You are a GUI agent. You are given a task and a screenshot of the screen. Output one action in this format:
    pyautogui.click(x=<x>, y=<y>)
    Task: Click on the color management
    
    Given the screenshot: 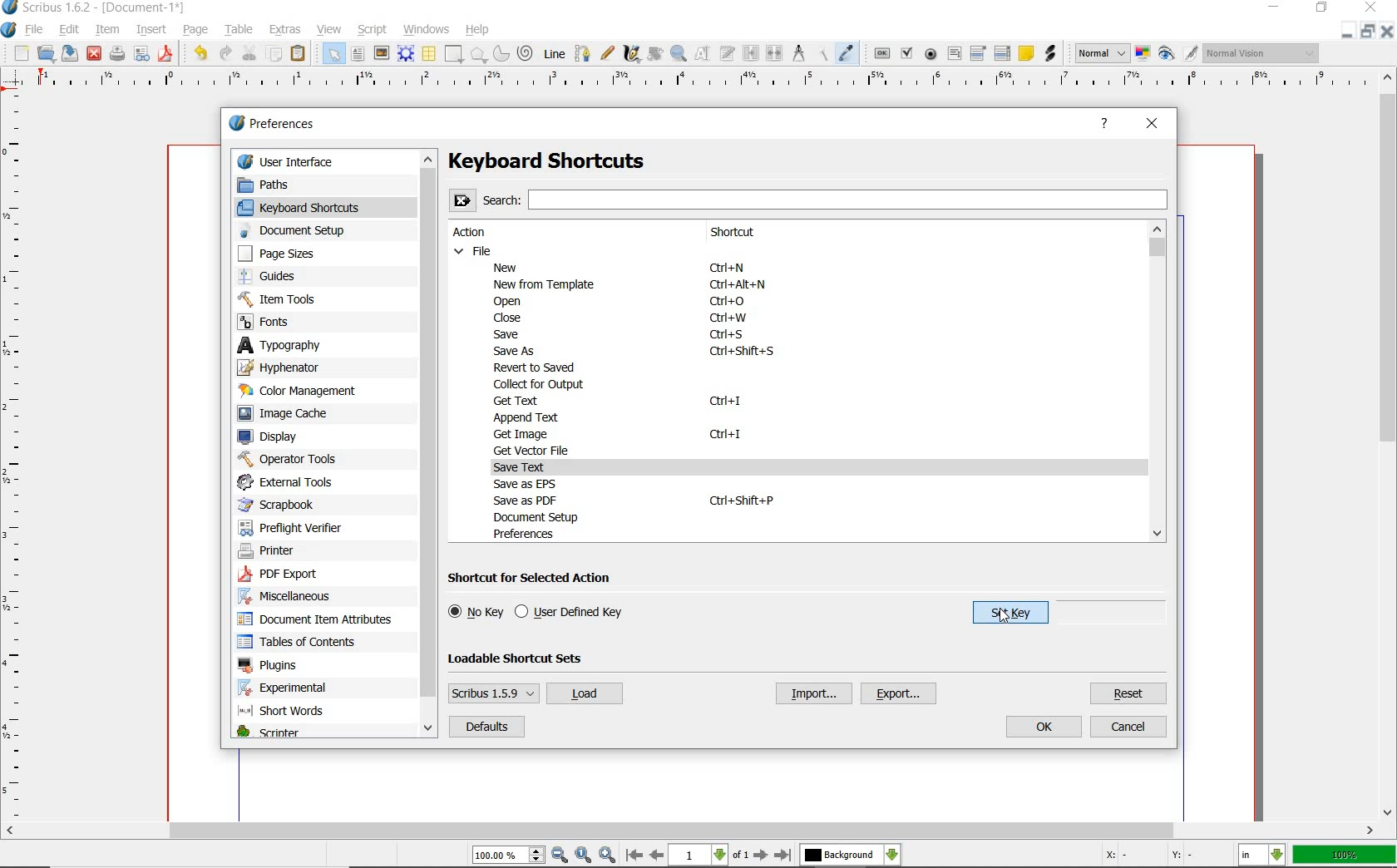 What is the action you would take?
    pyautogui.click(x=304, y=391)
    